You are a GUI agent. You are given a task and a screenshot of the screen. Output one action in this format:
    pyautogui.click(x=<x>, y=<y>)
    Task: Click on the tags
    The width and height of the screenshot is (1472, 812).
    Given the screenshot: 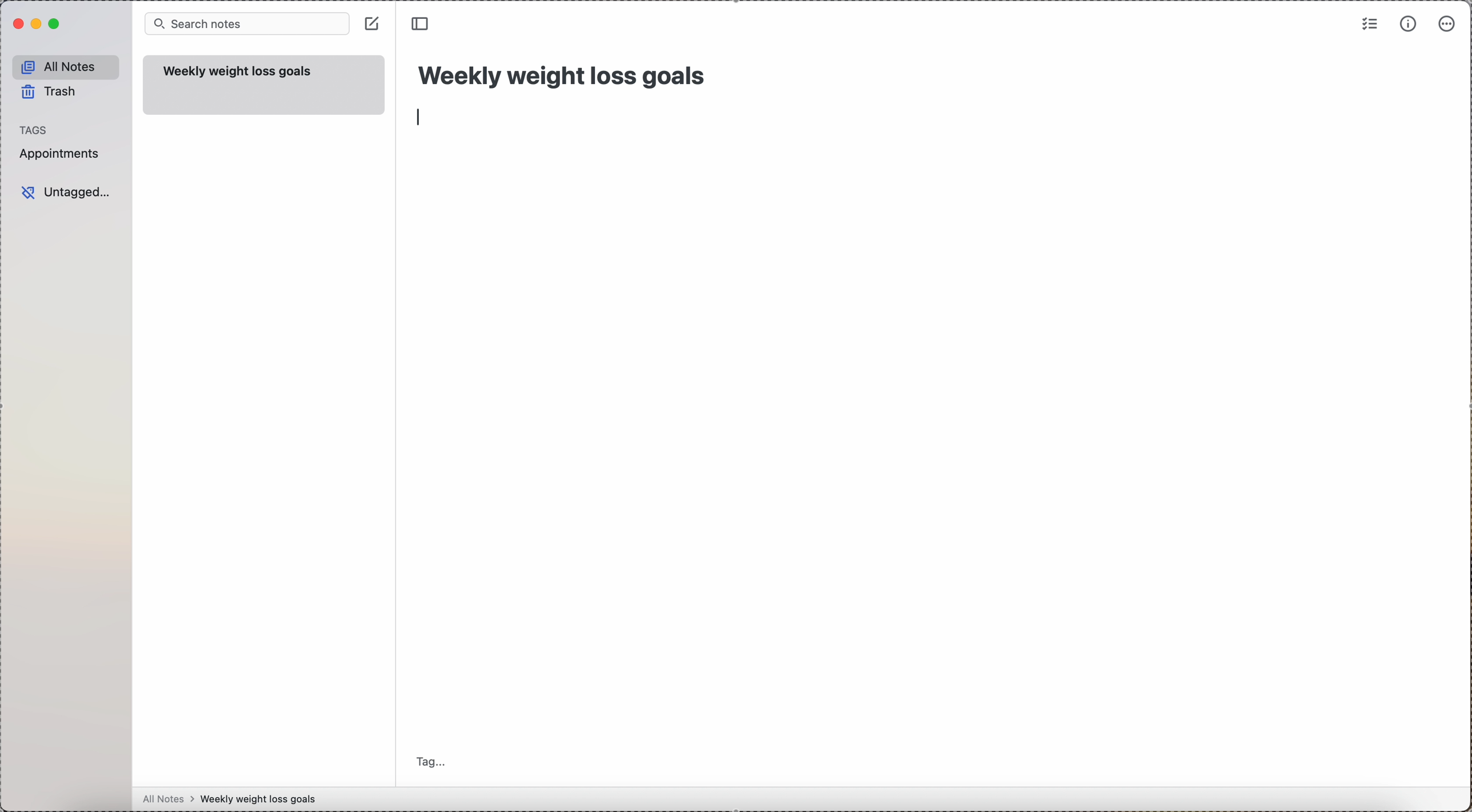 What is the action you would take?
    pyautogui.click(x=35, y=130)
    